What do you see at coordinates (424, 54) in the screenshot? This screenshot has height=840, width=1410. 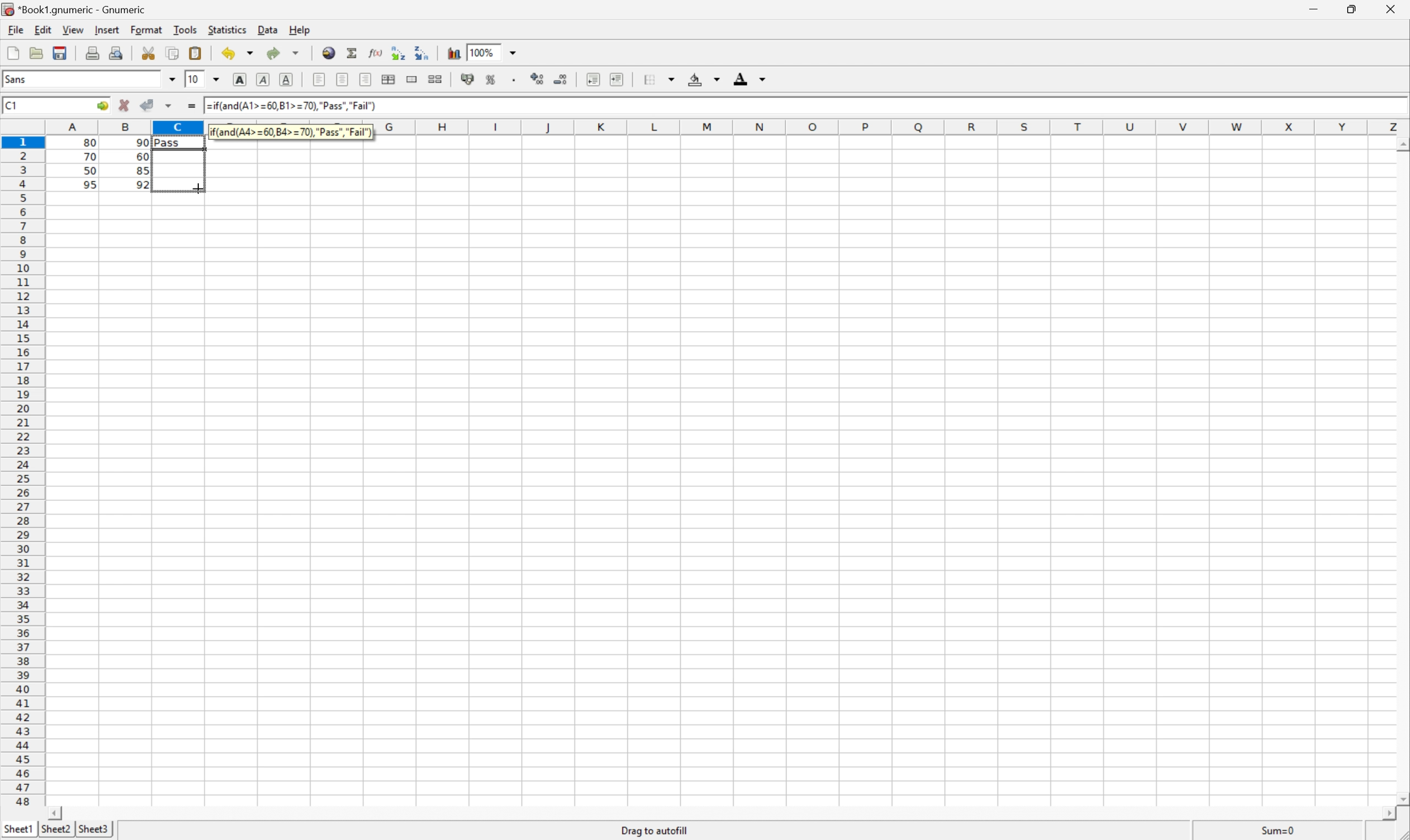 I see `Sort the selected region in descending order based on the first column selected` at bounding box center [424, 54].